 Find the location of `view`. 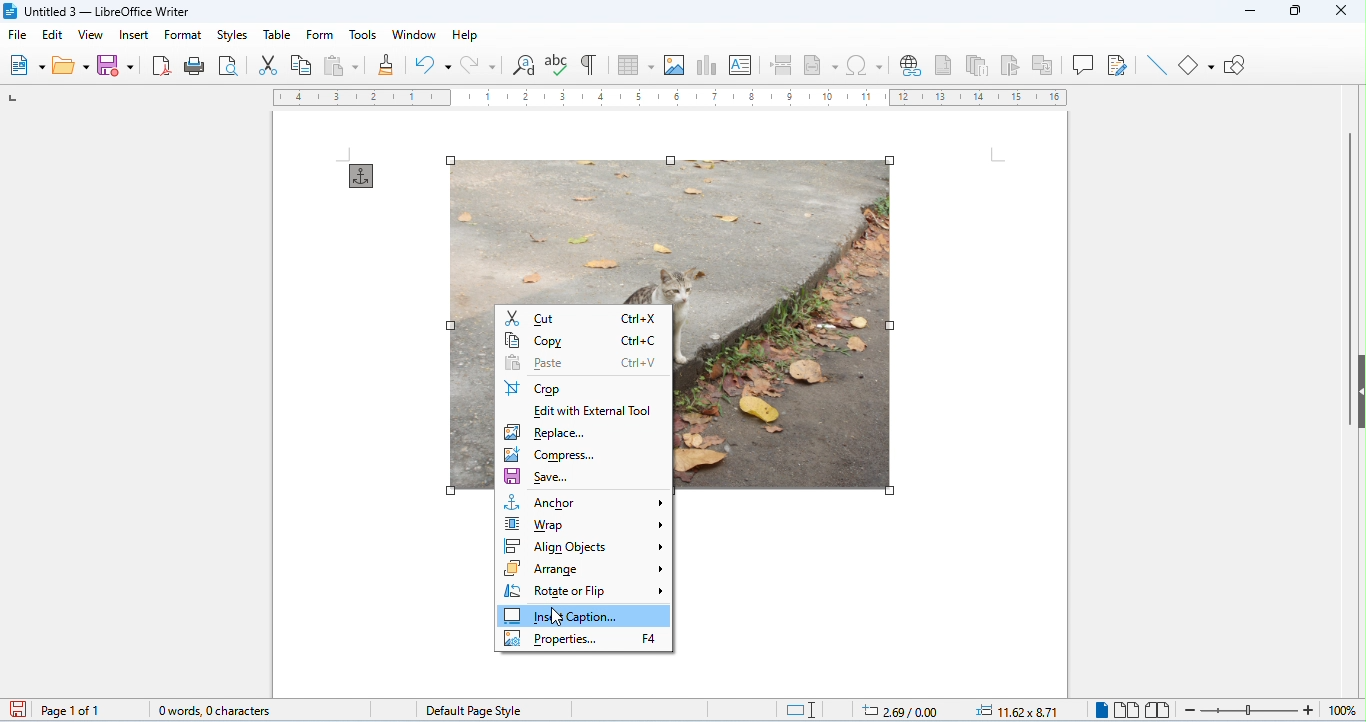

view is located at coordinates (89, 34).